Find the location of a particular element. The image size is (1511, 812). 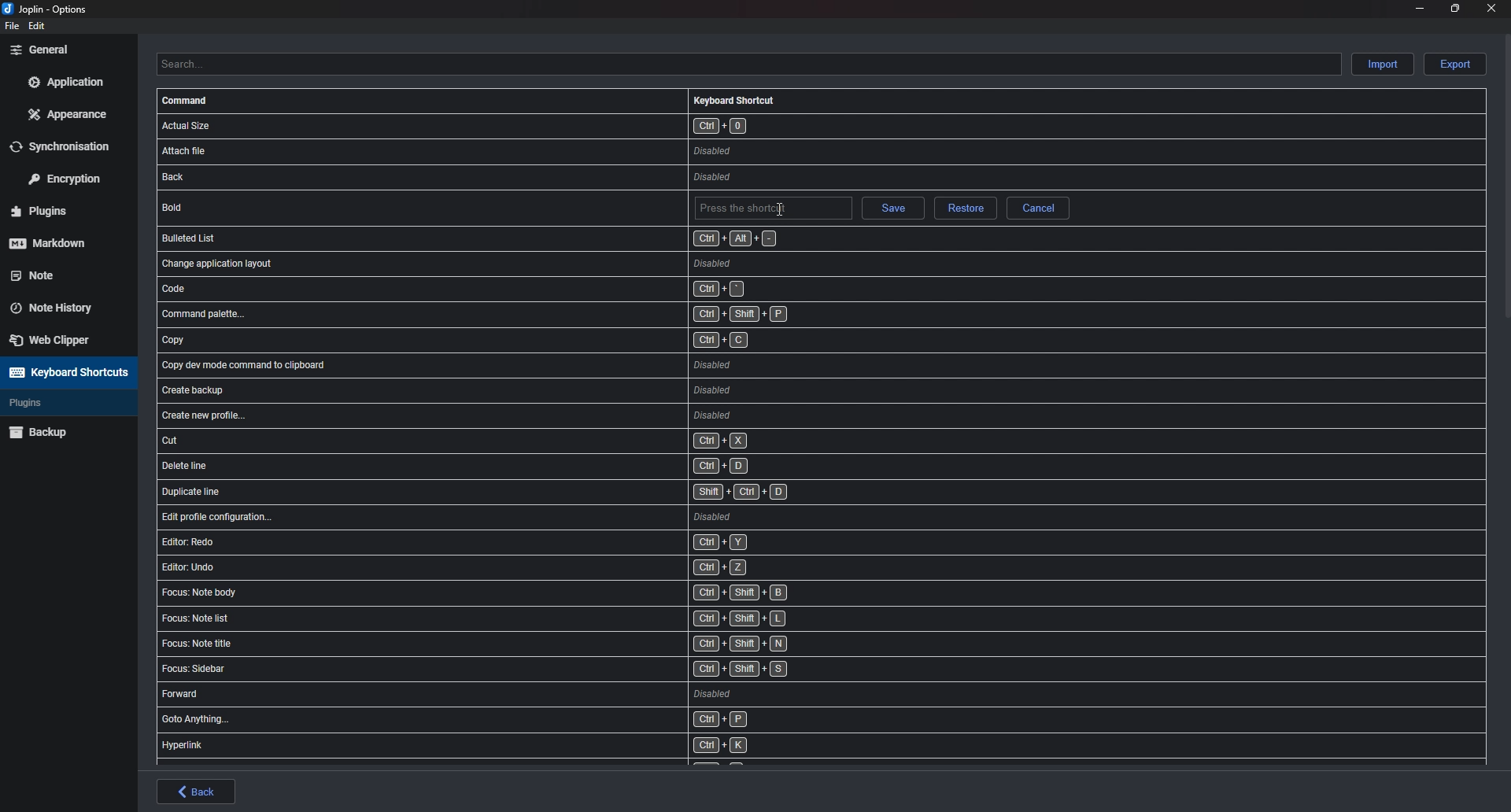

shortcut is located at coordinates (521, 721).